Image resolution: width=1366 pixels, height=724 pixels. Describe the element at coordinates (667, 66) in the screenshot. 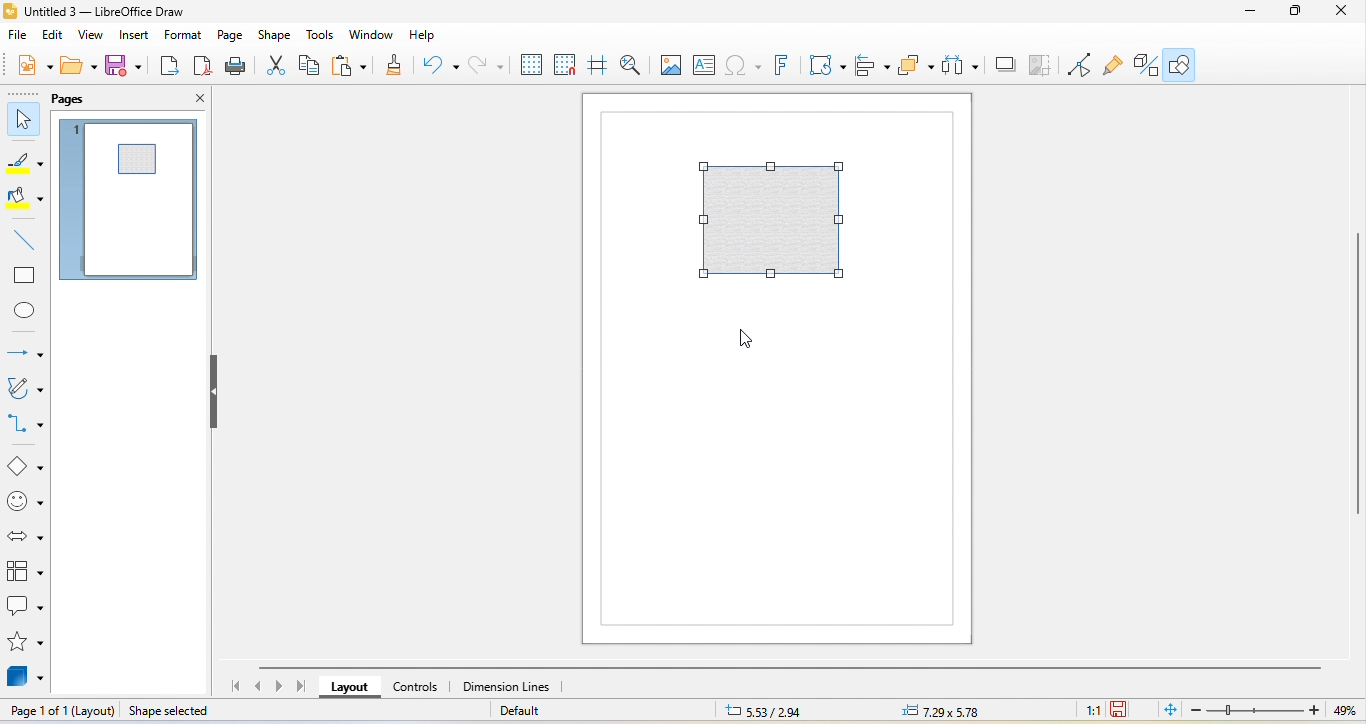

I see `image` at that location.